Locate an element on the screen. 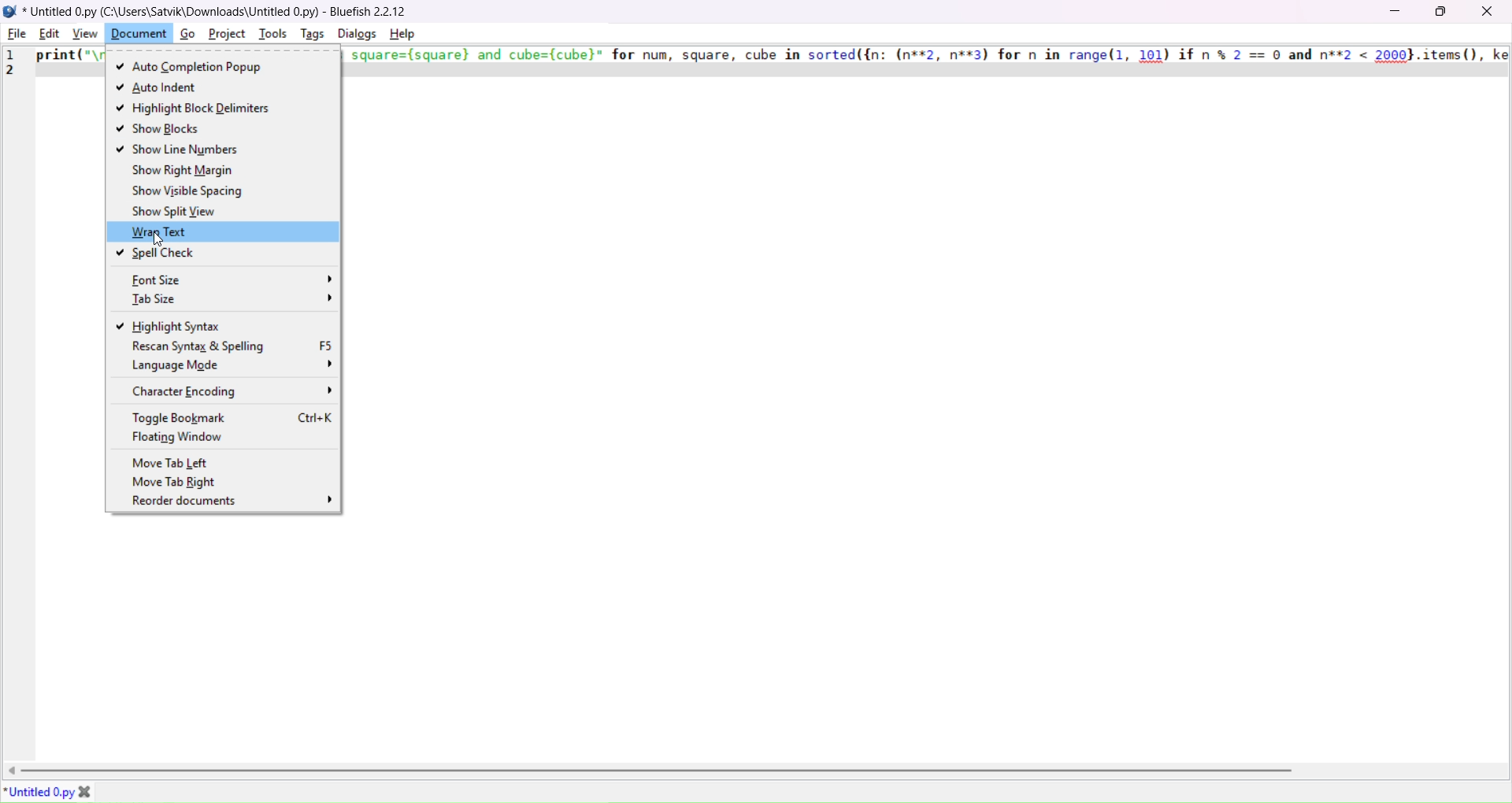  font size is located at coordinates (232, 279).